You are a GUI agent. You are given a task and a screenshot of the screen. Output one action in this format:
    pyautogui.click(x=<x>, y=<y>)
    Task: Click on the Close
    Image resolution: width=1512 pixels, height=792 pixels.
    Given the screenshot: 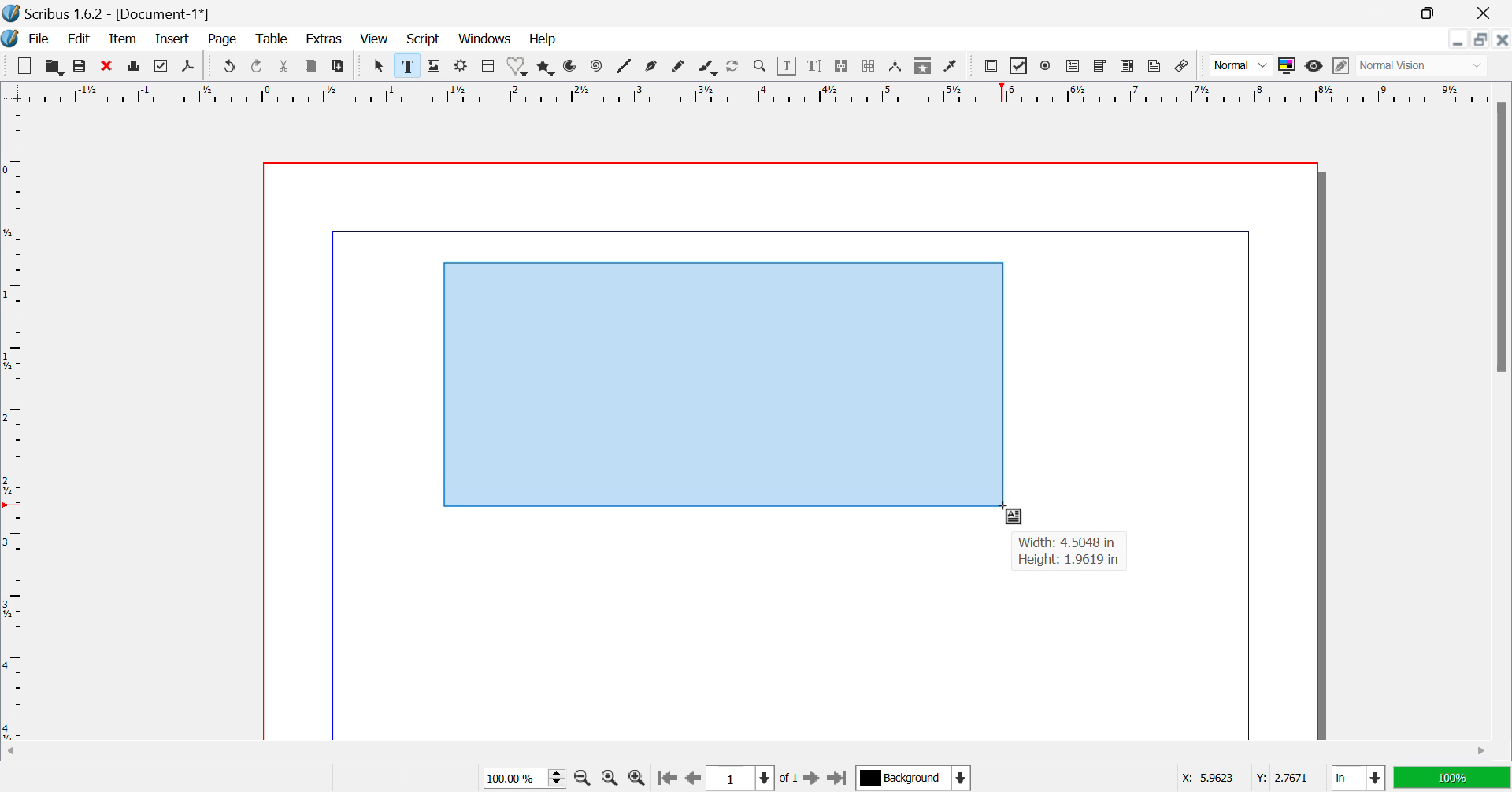 What is the action you would take?
    pyautogui.click(x=1484, y=13)
    